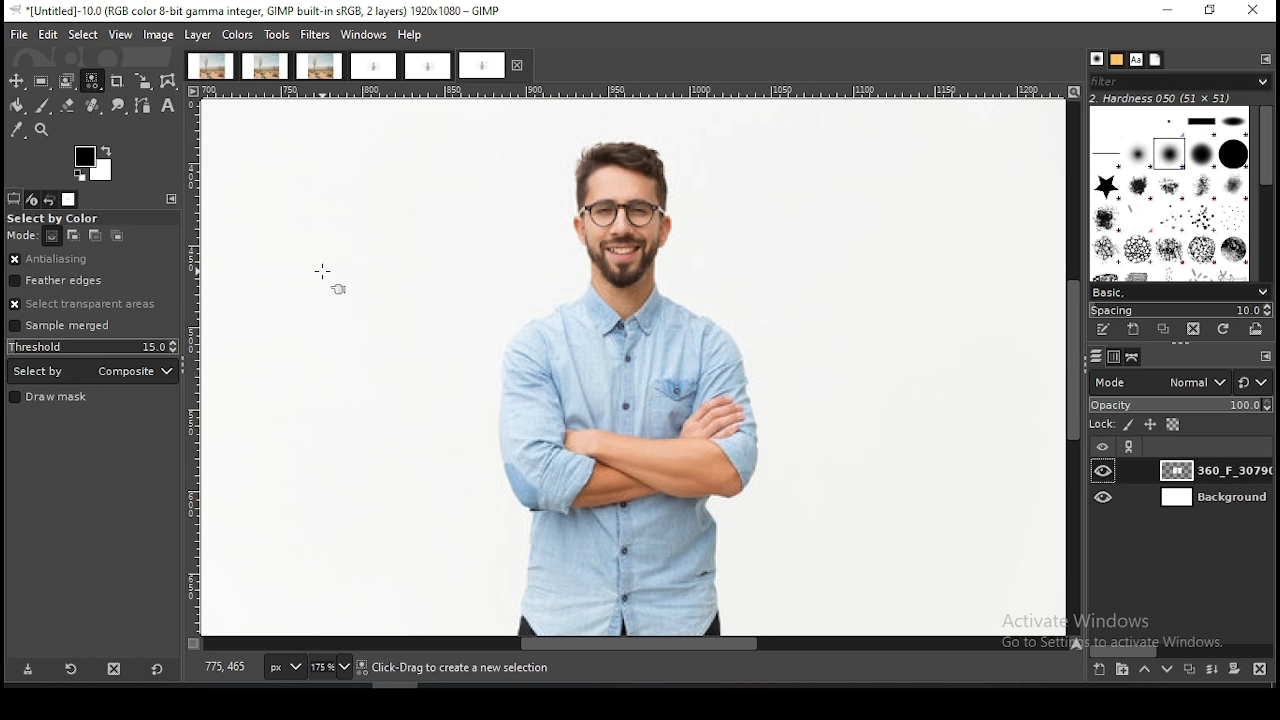  I want to click on paths, so click(1135, 357).